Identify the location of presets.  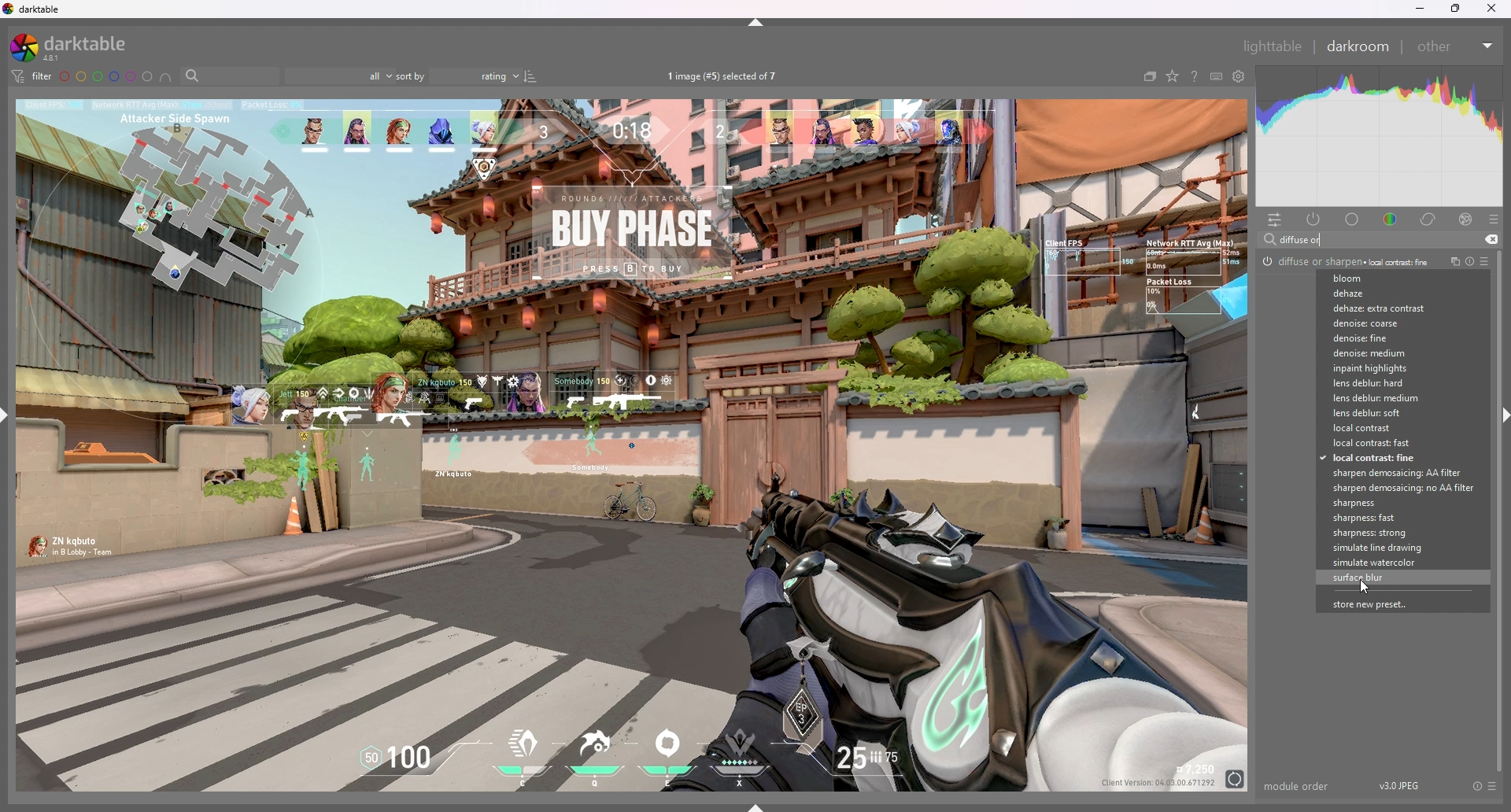
(1494, 219).